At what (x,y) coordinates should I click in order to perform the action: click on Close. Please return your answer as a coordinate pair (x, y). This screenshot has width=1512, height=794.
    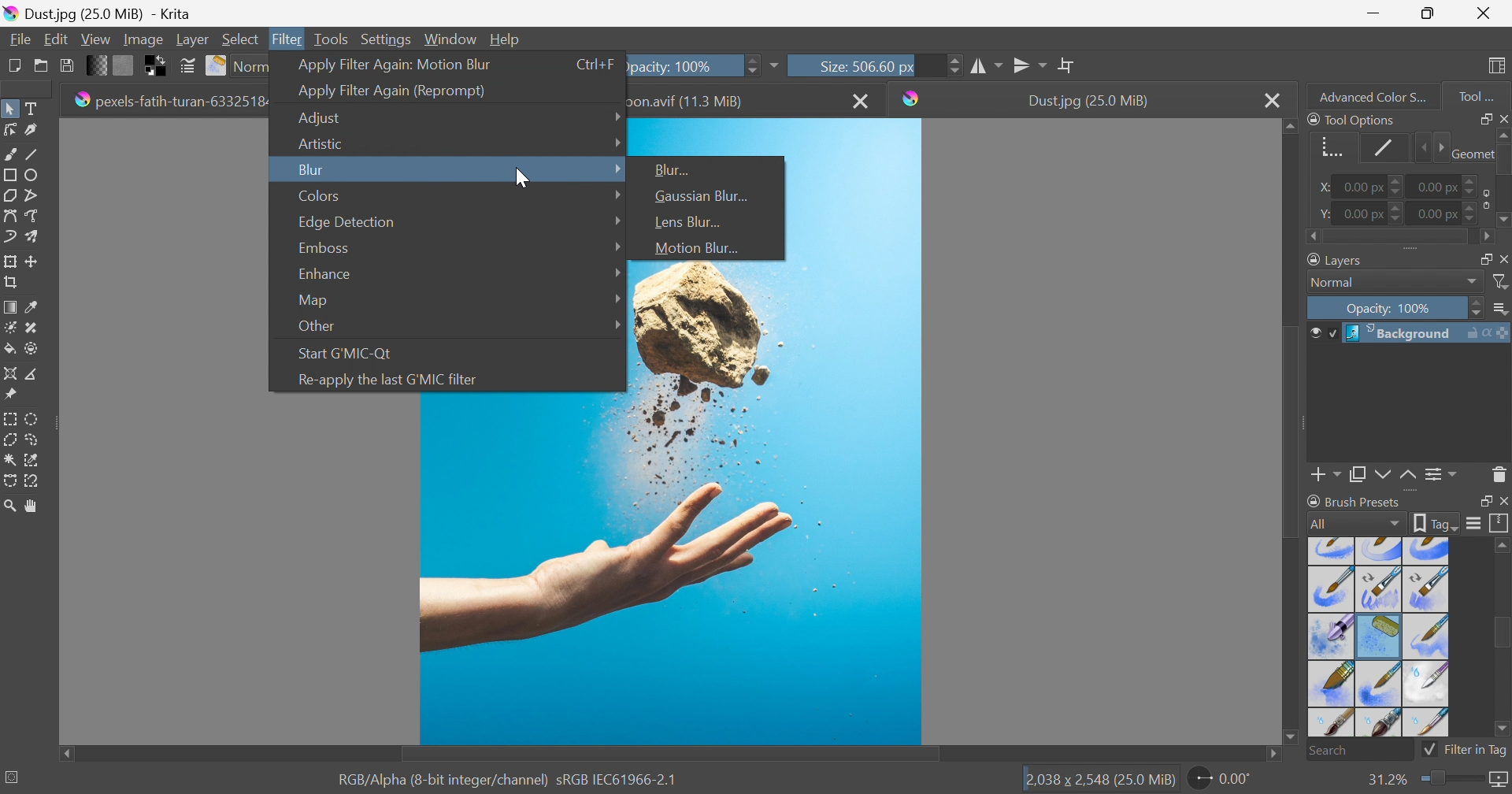
    Looking at the image, I should click on (1272, 100).